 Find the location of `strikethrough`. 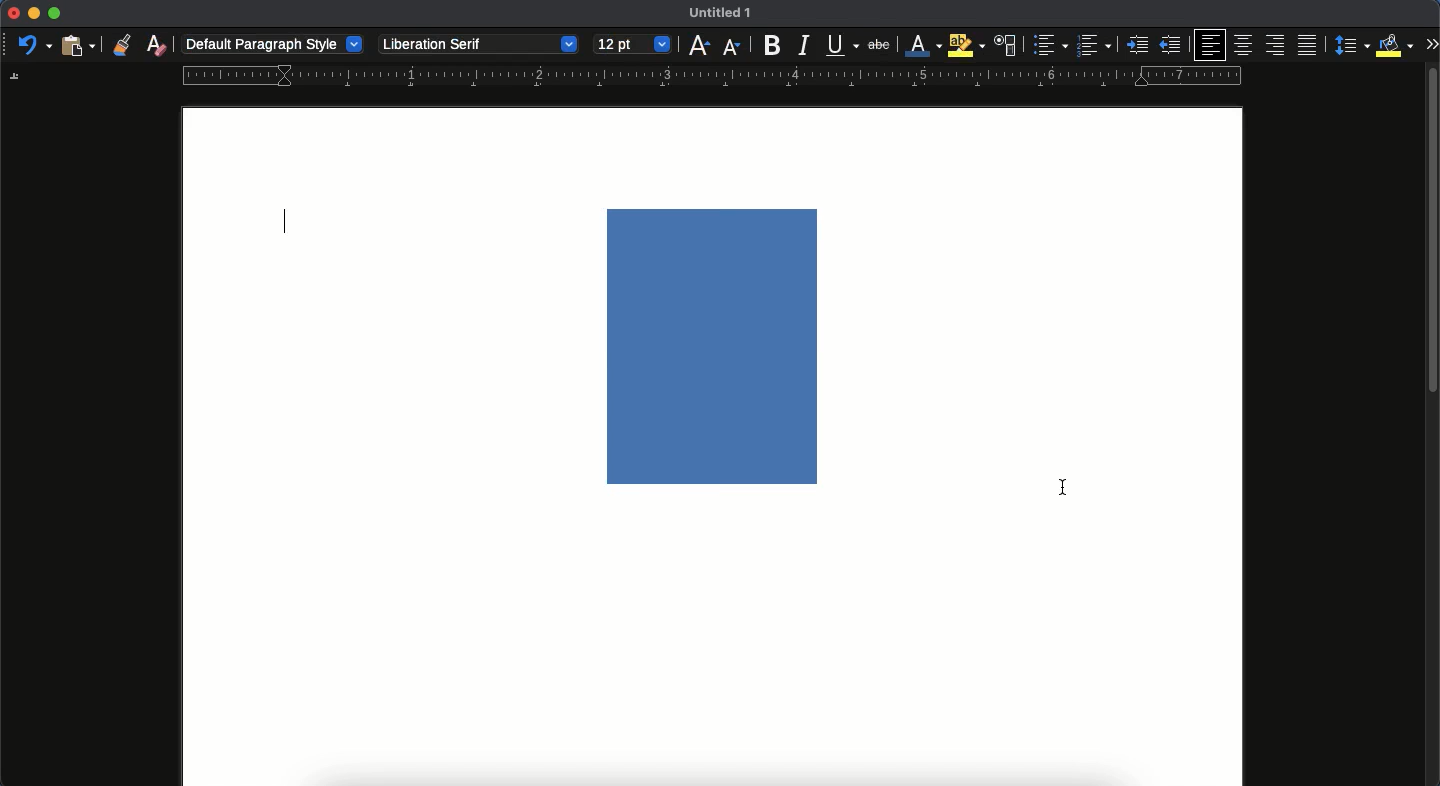

strikethrough is located at coordinates (879, 44).